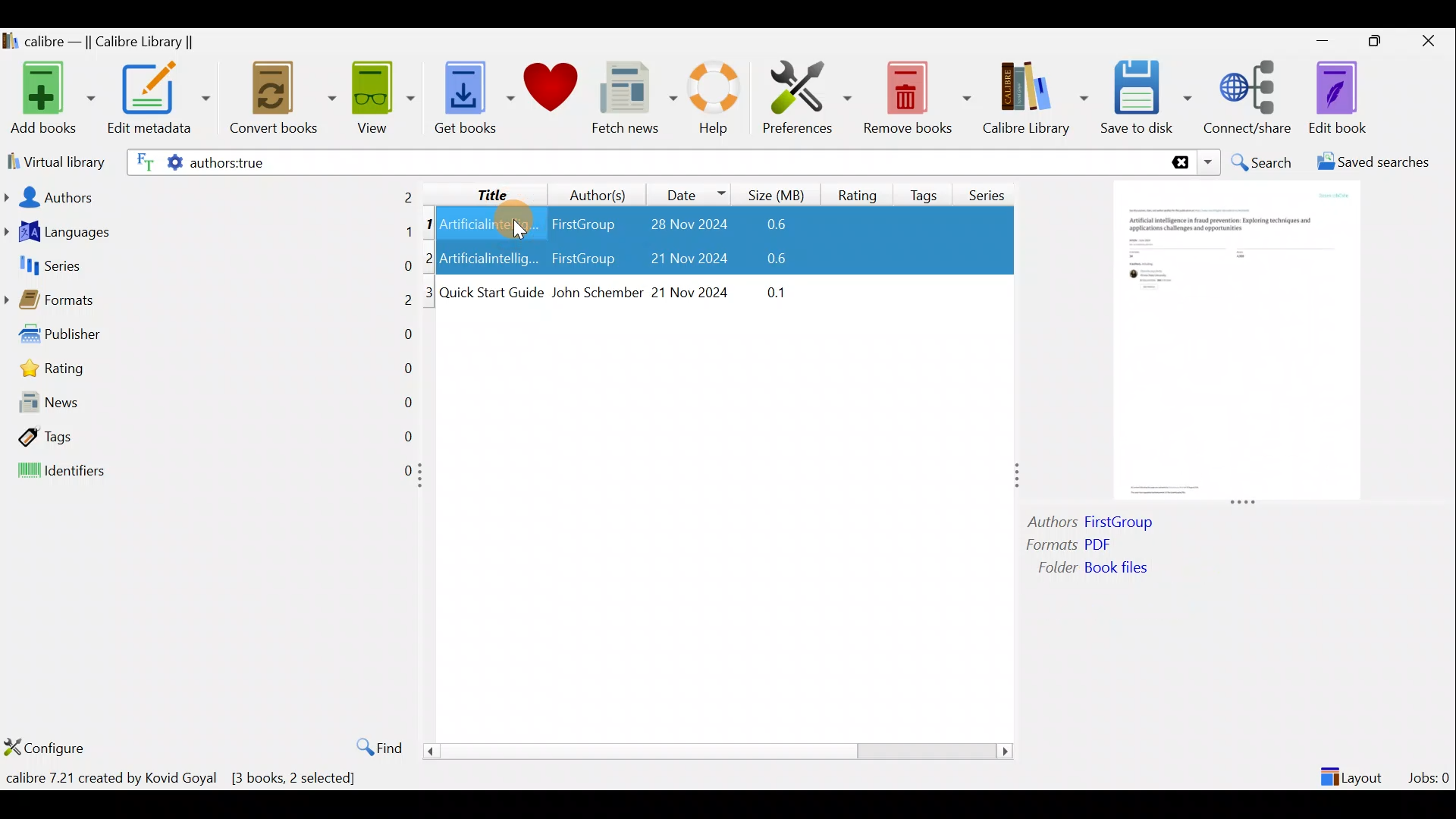  What do you see at coordinates (1432, 40) in the screenshot?
I see `Close` at bounding box center [1432, 40].